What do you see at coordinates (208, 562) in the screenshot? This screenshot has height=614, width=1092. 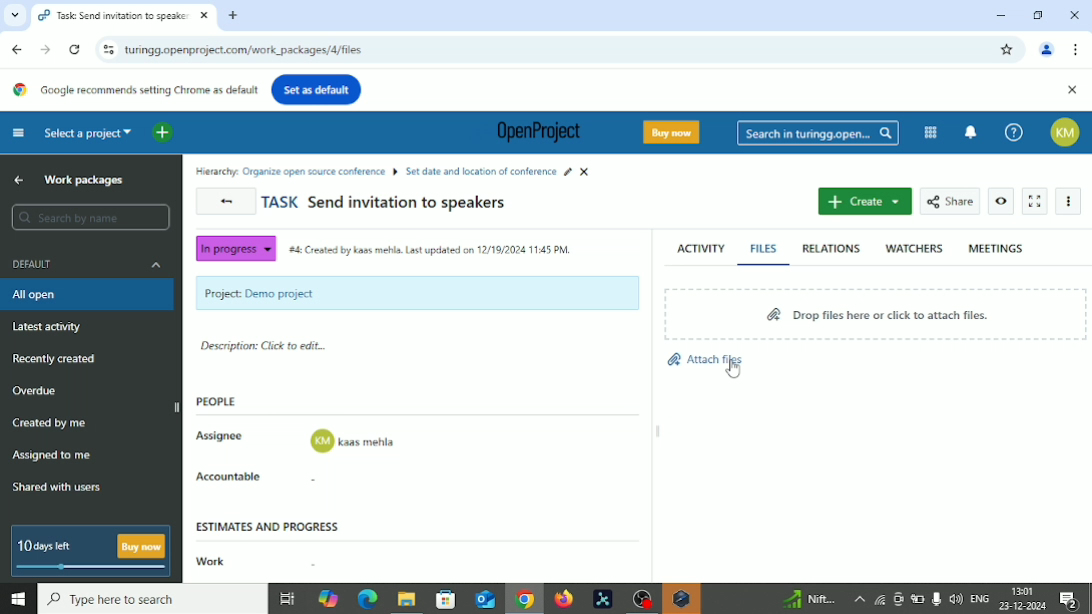 I see `Work` at bounding box center [208, 562].